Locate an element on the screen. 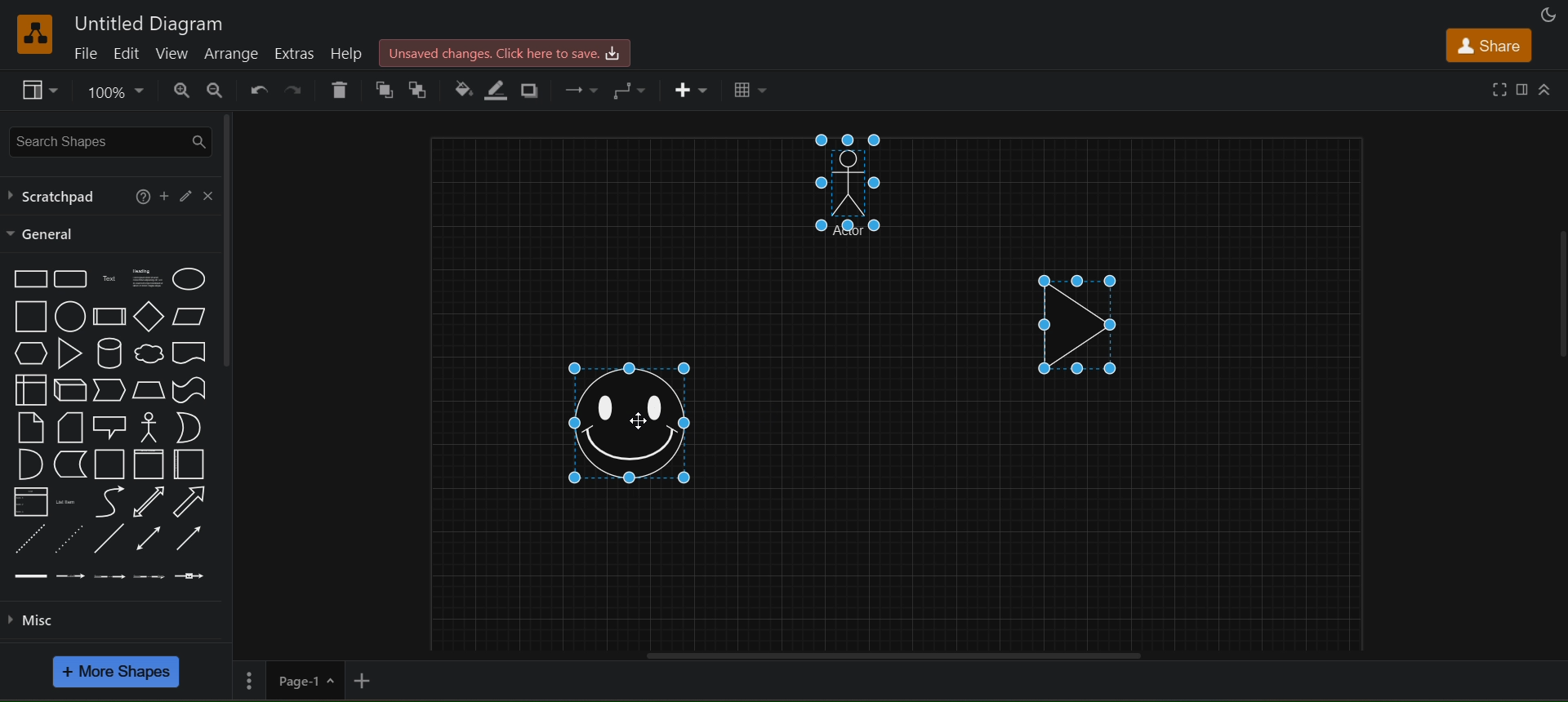 This screenshot has height=702, width=1568. zoom is located at coordinates (111, 91).